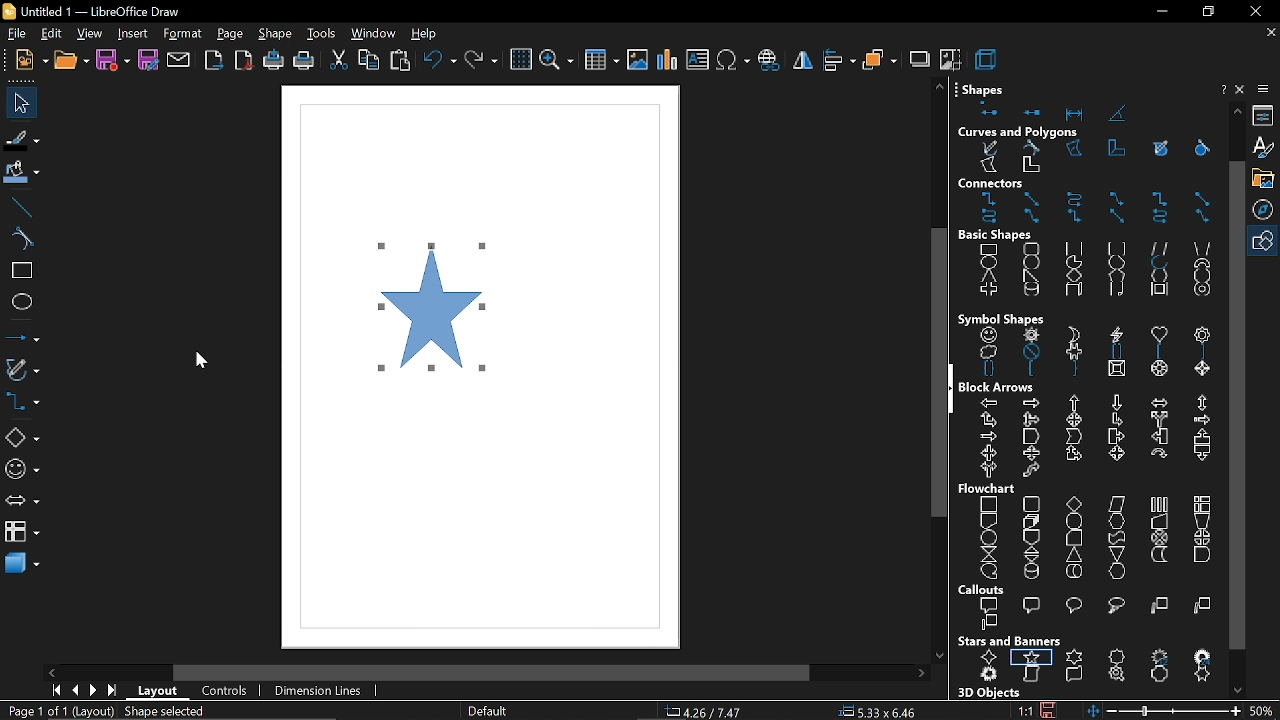 This screenshot has height=720, width=1280. What do you see at coordinates (940, 655) in the screenshot?
I see `move down ` at bounding box center [940, 655].